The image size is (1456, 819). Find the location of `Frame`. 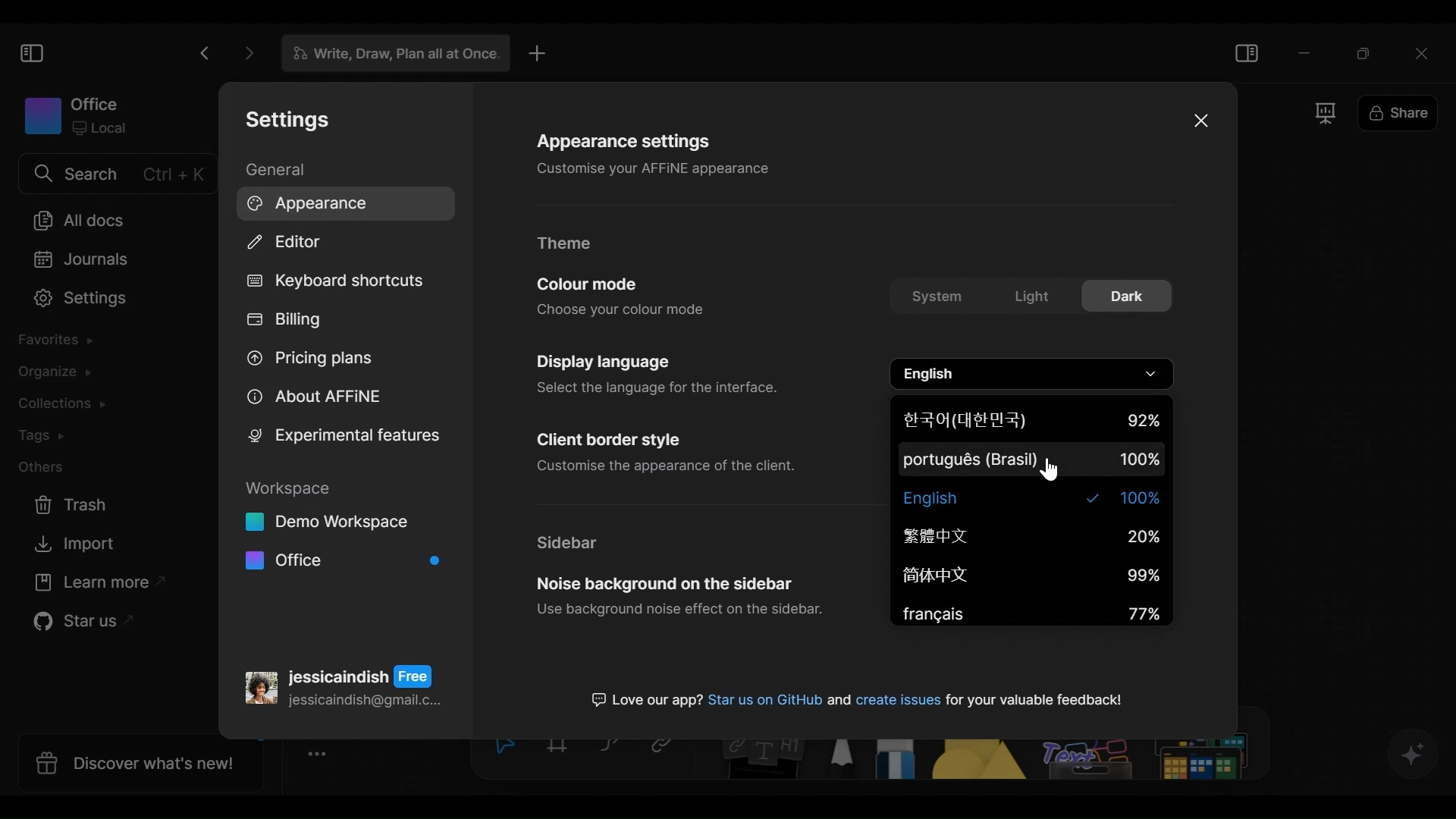

Frame is located at coordinates (560, 748).